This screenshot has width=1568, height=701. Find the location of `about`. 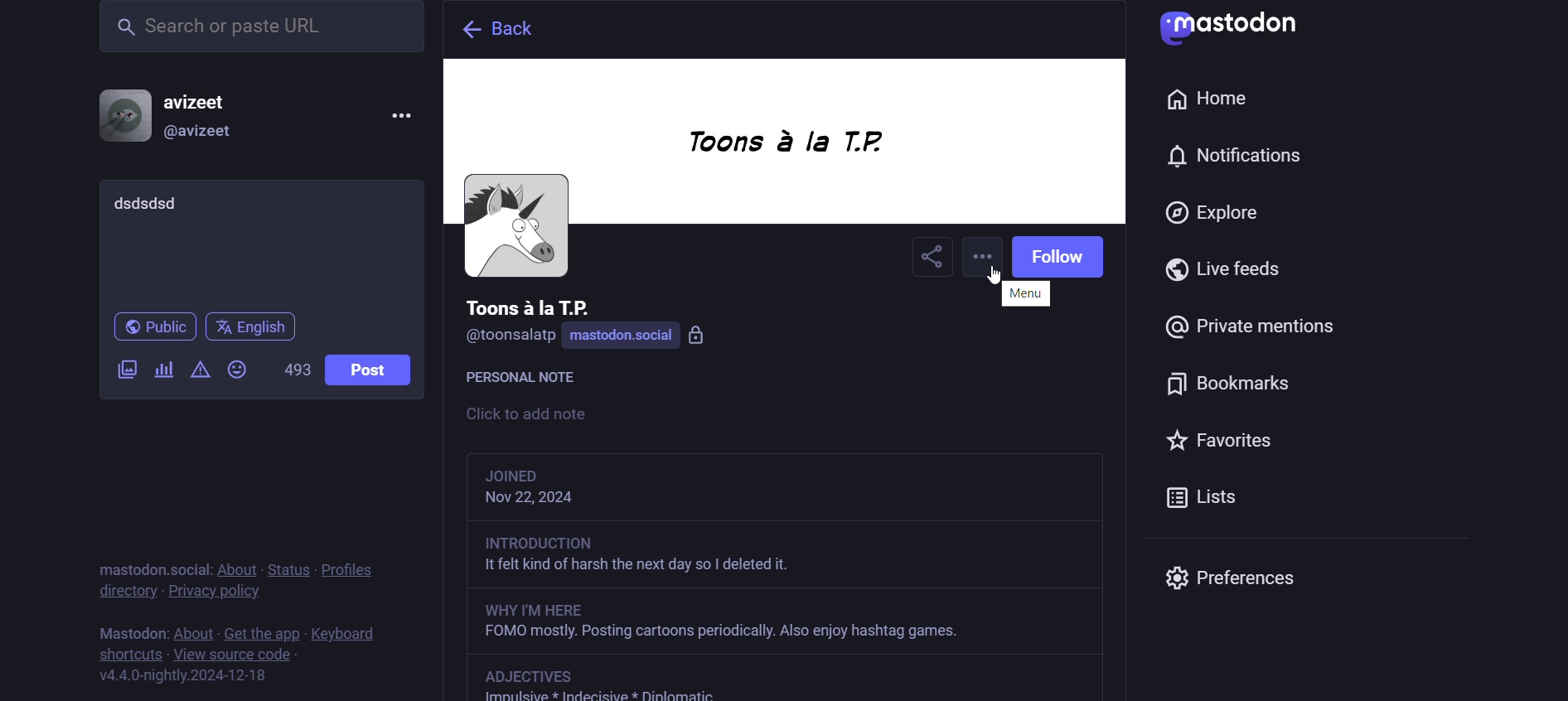

about is located at coordinates (236, 563).